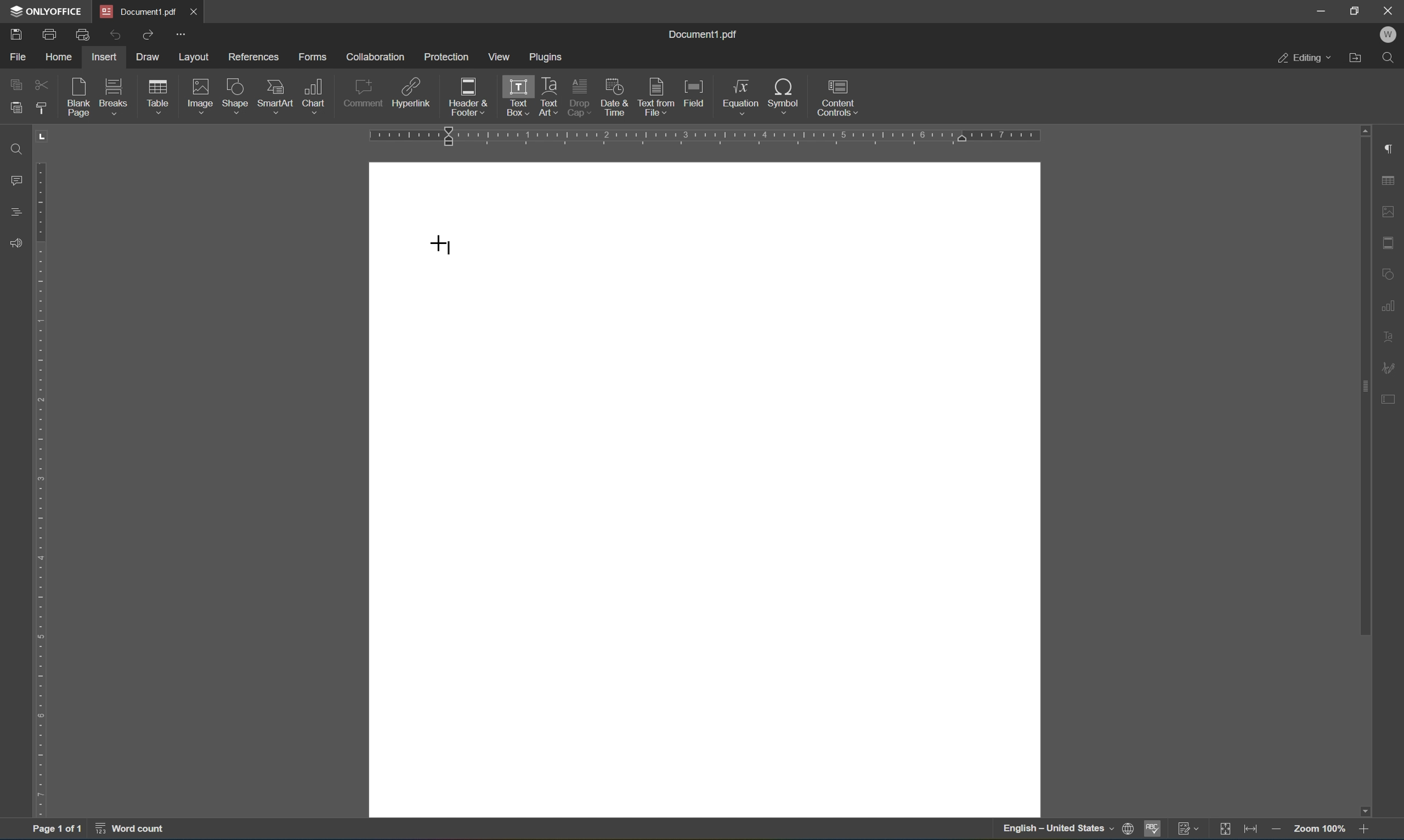 The height and width of the screenshot is (840, 1404). I want to click on Close, so click(1392, 11).